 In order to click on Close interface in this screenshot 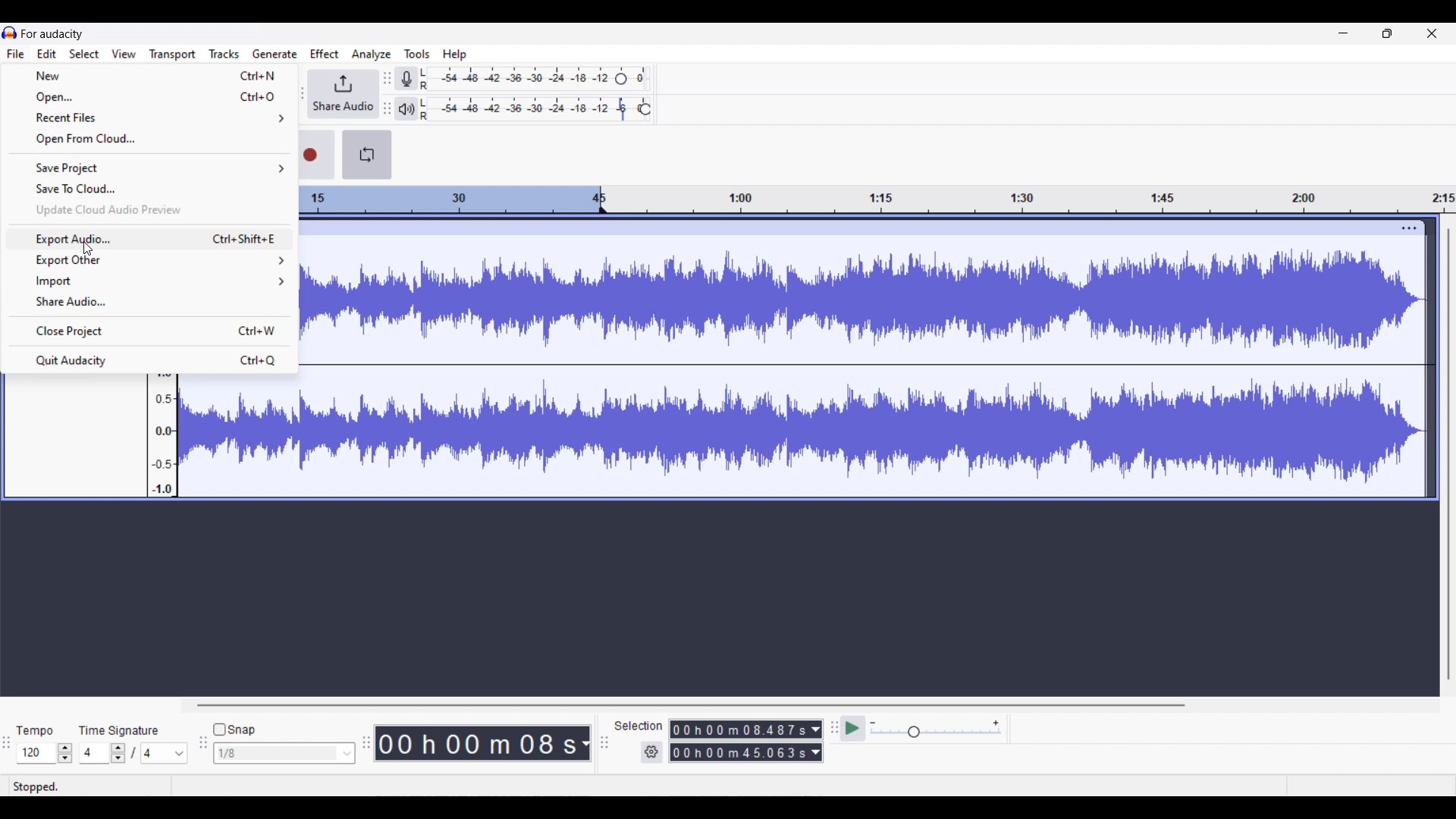, I will do `click(1432, 33)`.